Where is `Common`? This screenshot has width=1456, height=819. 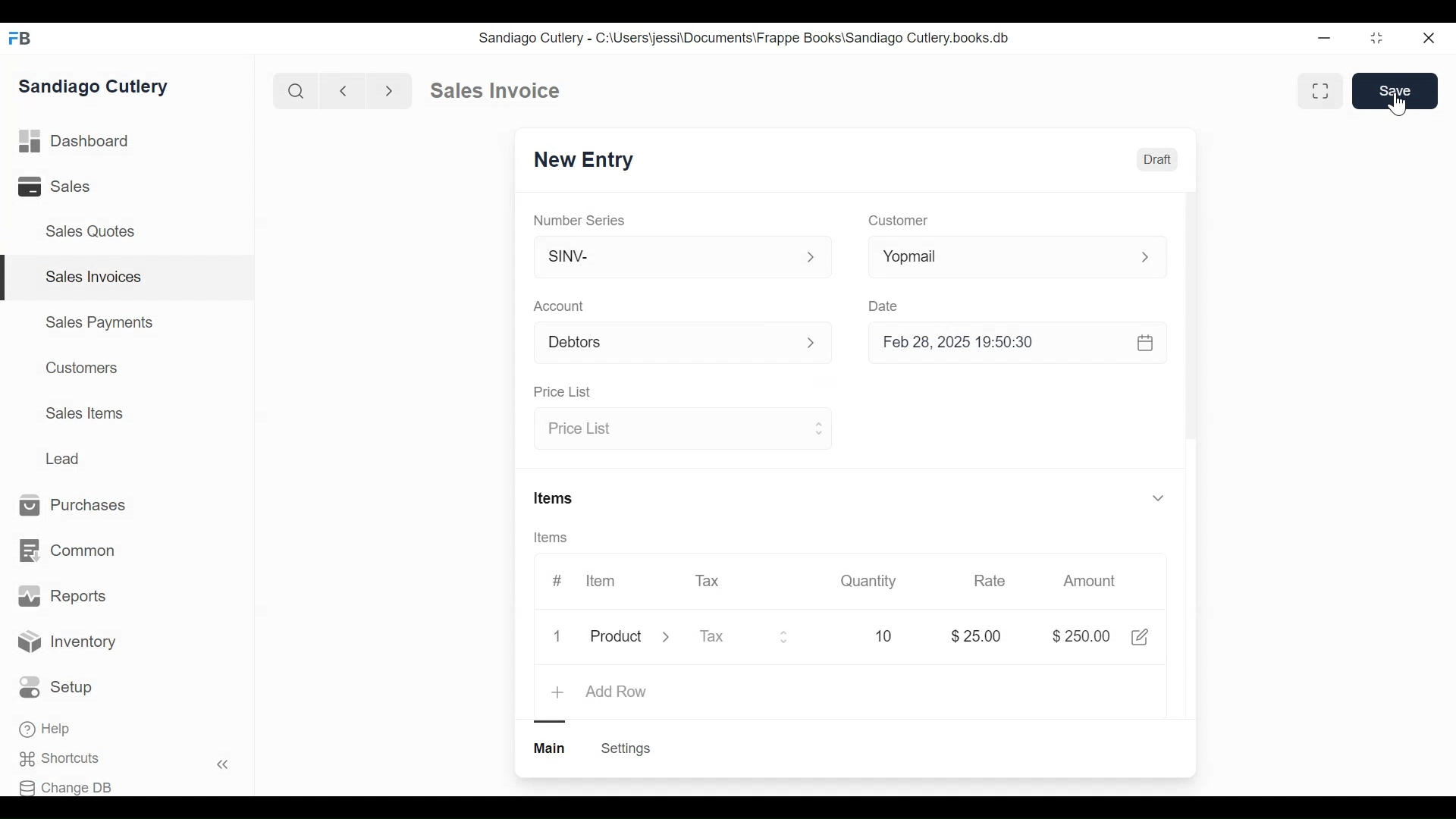 Common is located at coordinates (70, 551).